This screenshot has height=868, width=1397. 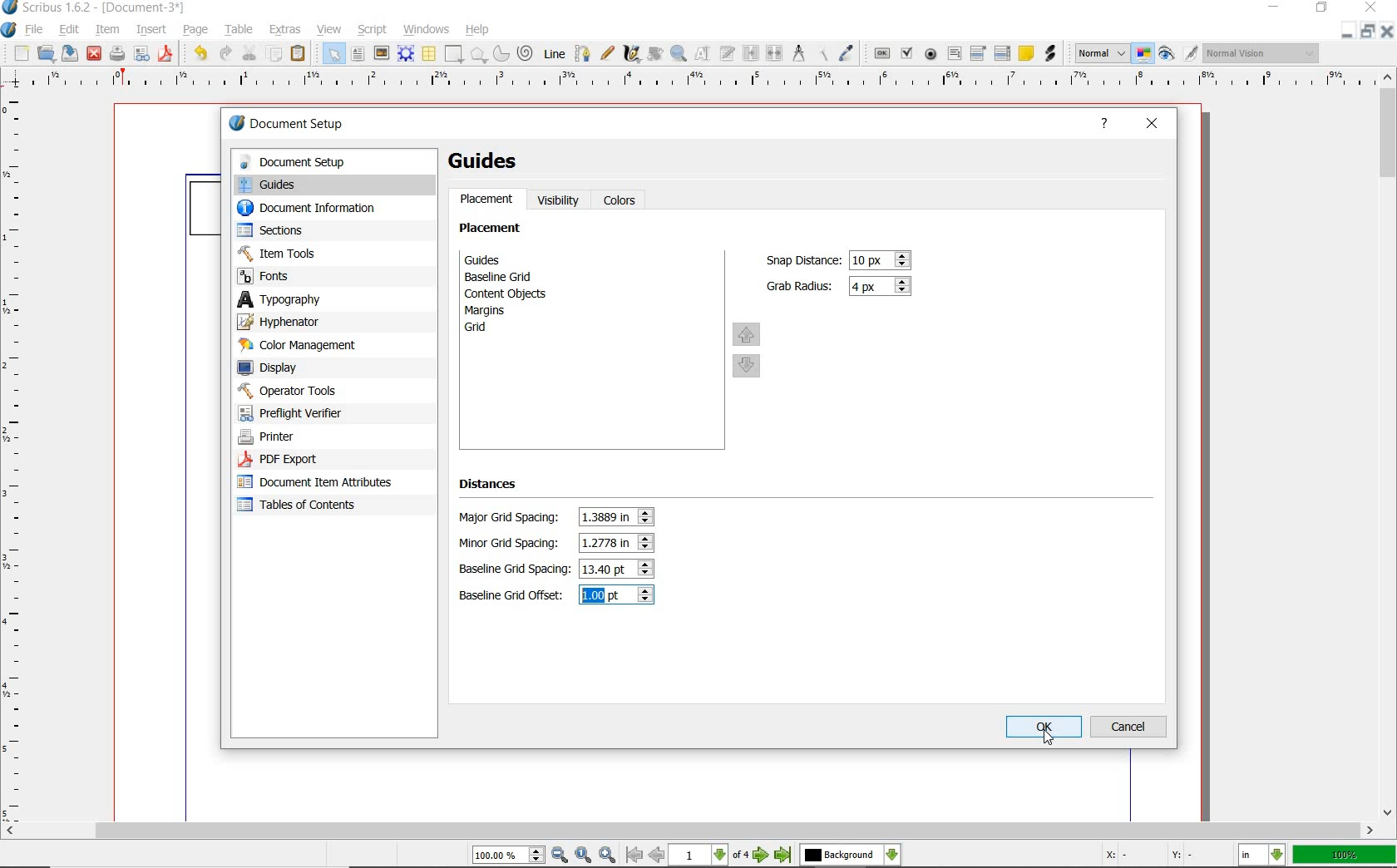 I want to click on pdf radio button, so click(x=932, y=54).